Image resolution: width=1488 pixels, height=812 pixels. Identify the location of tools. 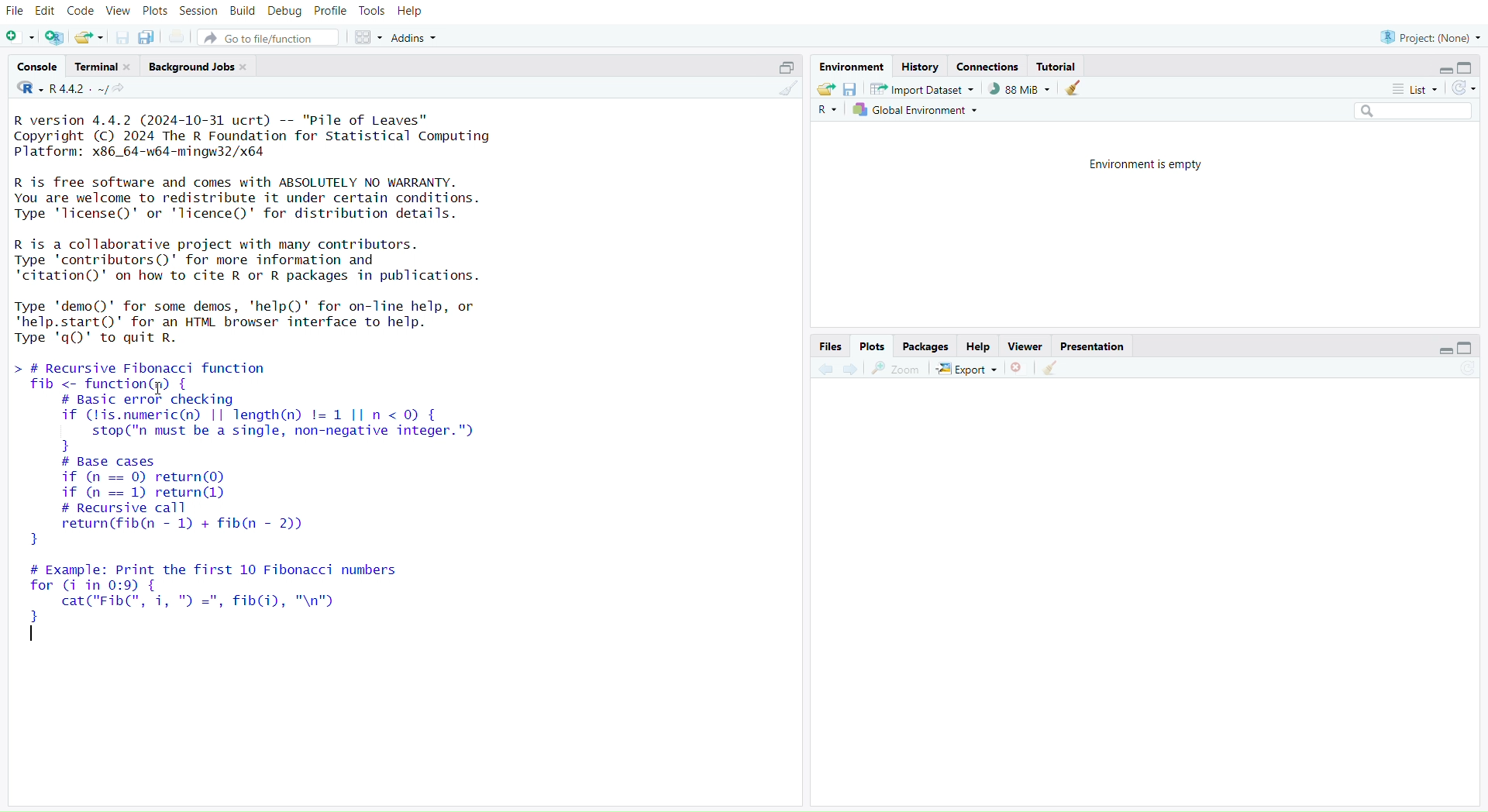
(371, 11).